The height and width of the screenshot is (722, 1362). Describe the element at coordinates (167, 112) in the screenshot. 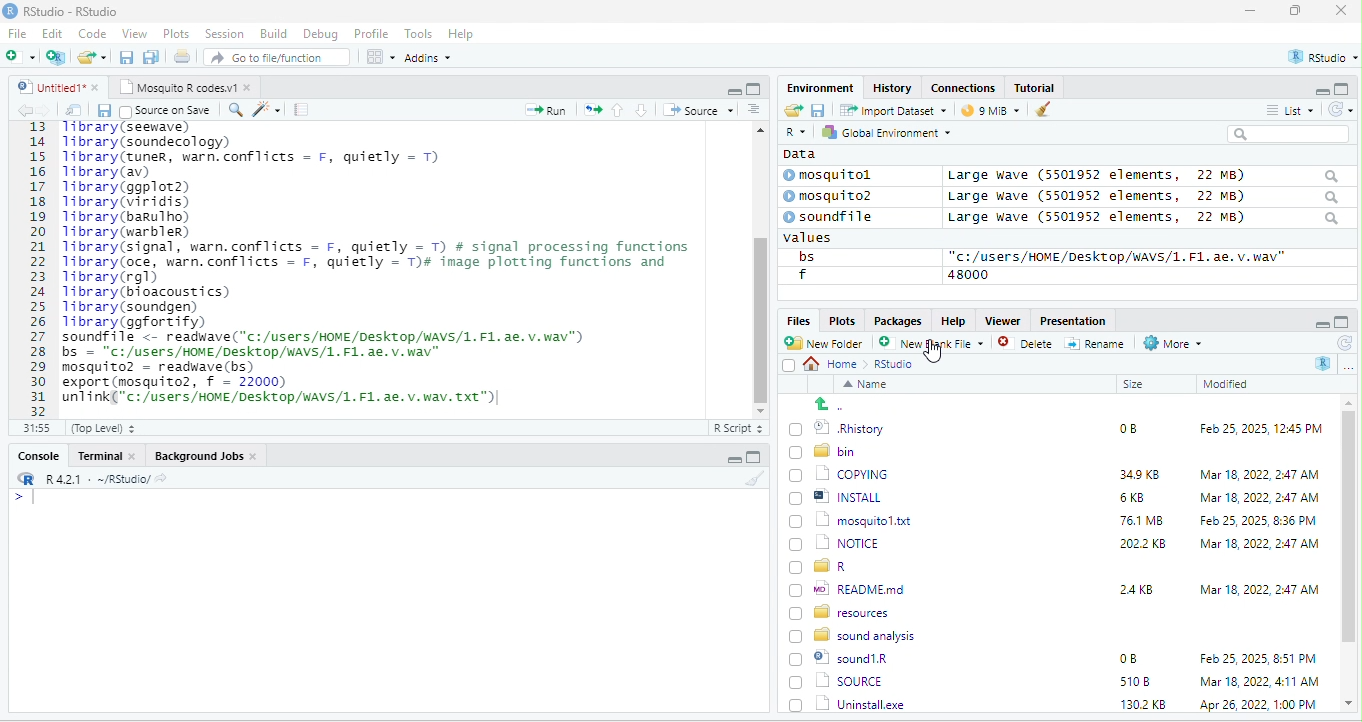

I see `source on Save` at that location.